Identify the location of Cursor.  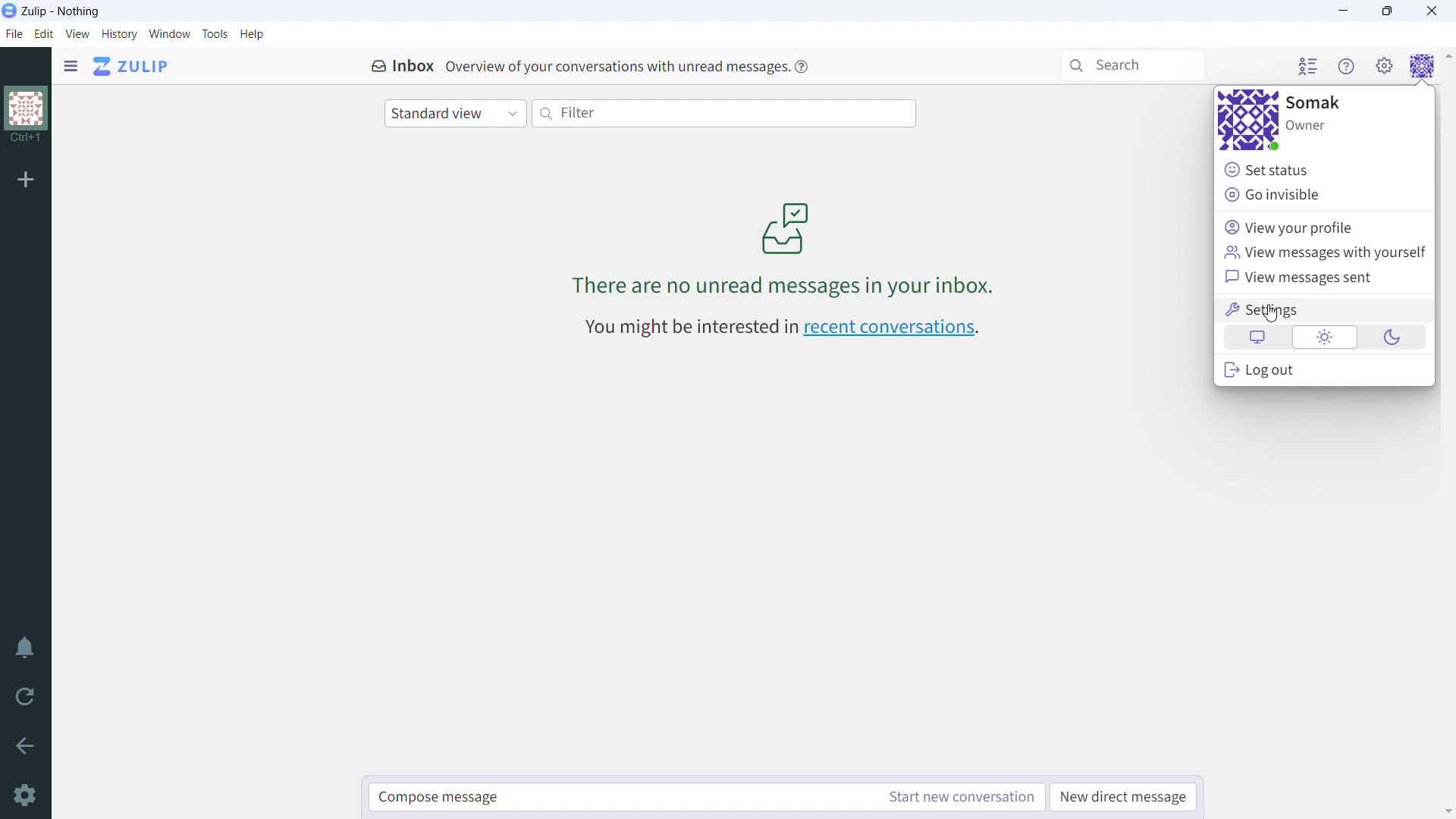
(1272, 314).